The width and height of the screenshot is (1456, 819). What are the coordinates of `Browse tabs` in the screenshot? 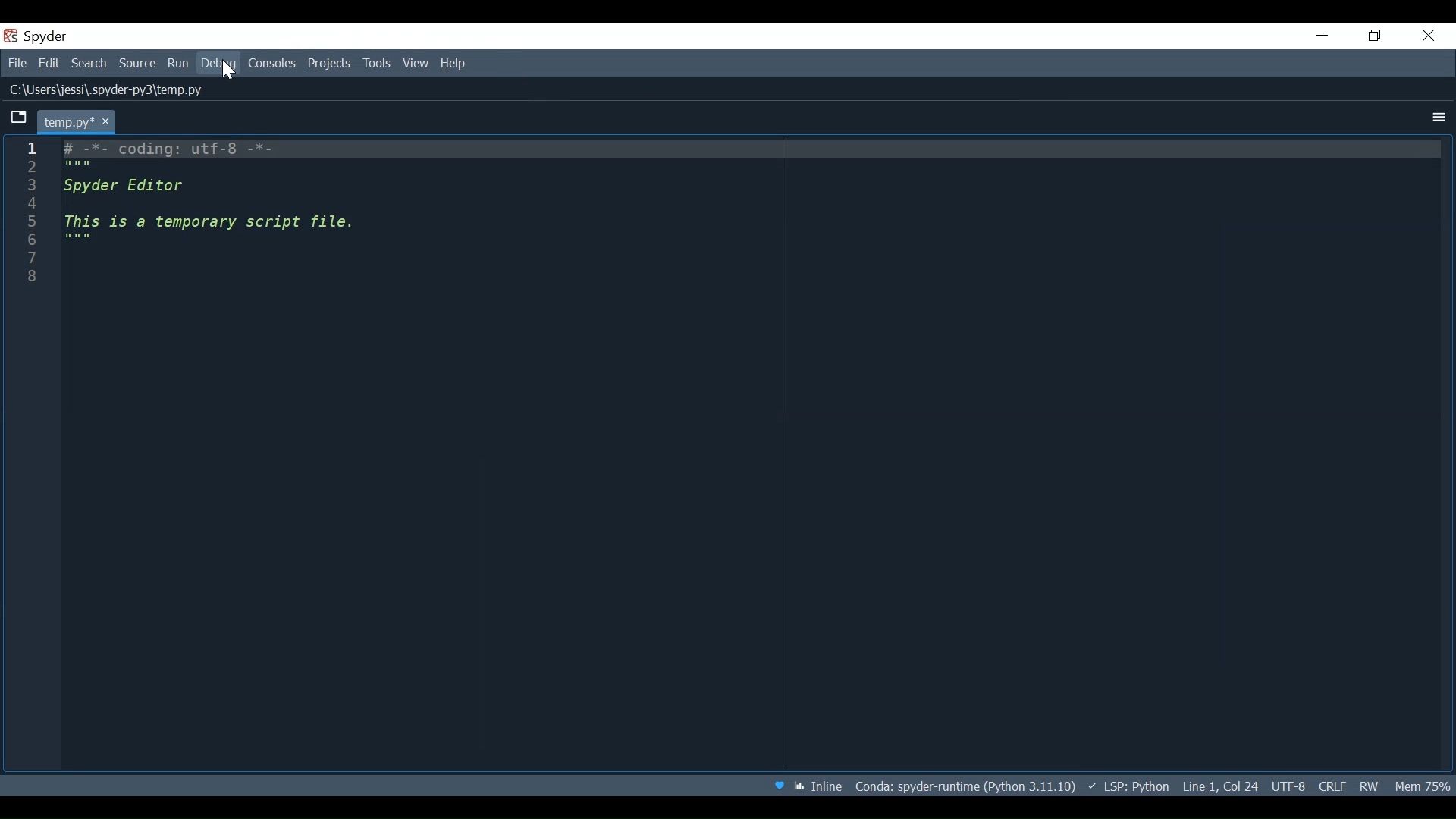 It's located at (17, 117).